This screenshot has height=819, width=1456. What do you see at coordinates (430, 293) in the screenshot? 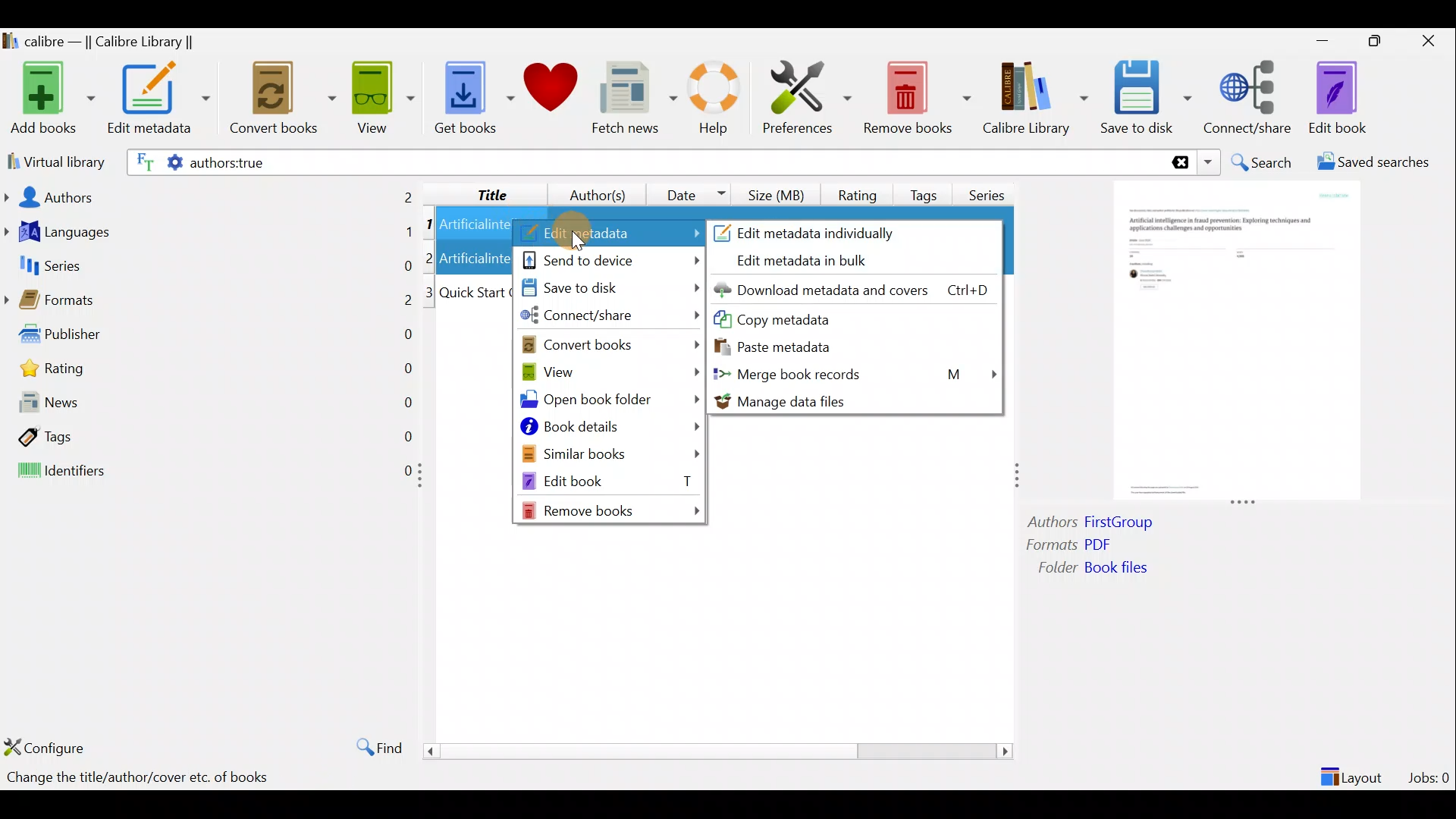
I see `3` at bounding box center [430, 293].